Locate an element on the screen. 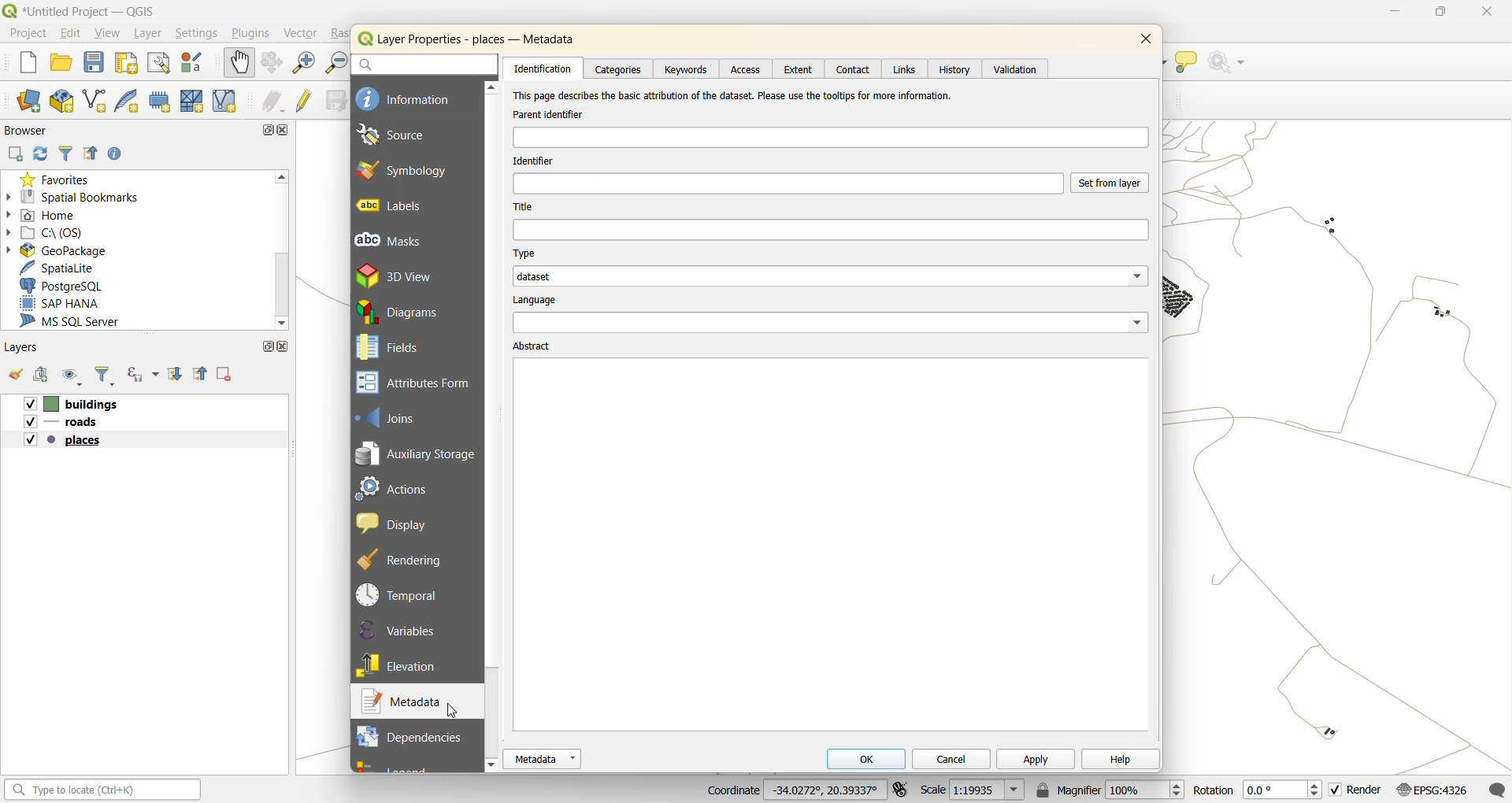 This screenshot has width=1512, height=803. language is located at coordinates (543, 299).